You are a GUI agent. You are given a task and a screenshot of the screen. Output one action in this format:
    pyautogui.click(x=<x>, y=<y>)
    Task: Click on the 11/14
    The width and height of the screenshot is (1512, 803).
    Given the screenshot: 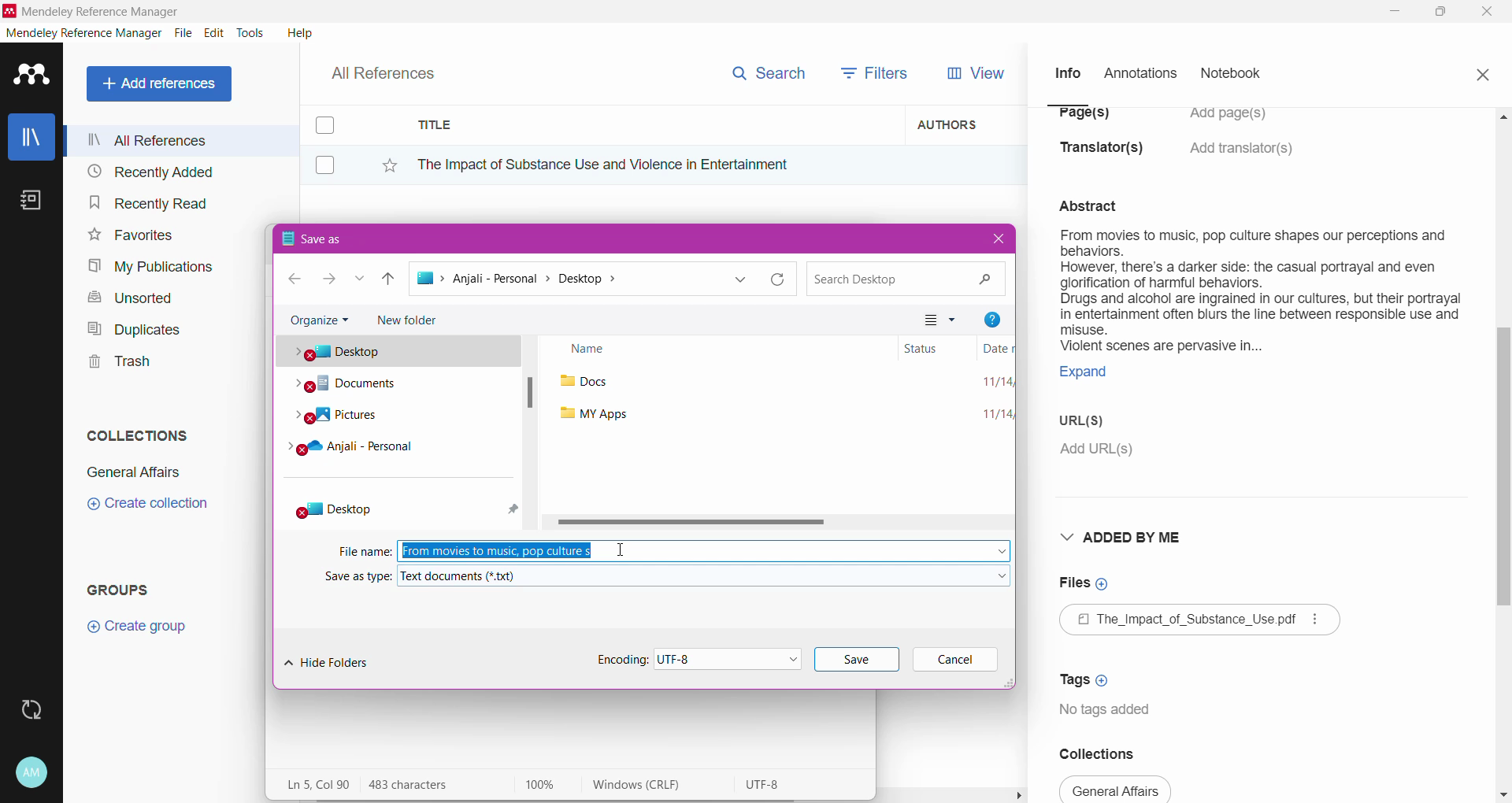 What is the action you would take?
    pyautogui.click(x=987, y=415)
    